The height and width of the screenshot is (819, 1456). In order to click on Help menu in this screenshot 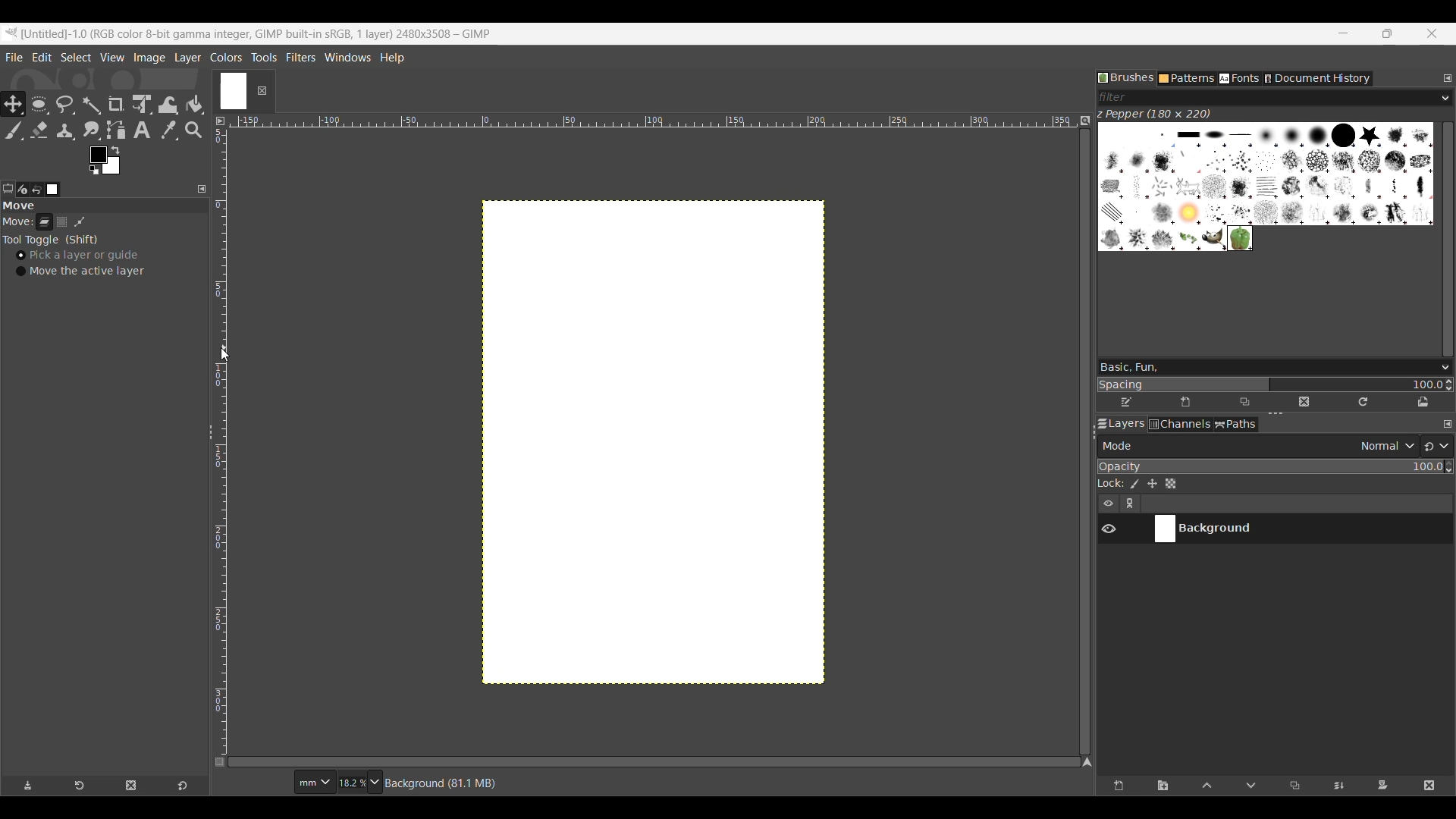, I will do `click(391, 57)`.